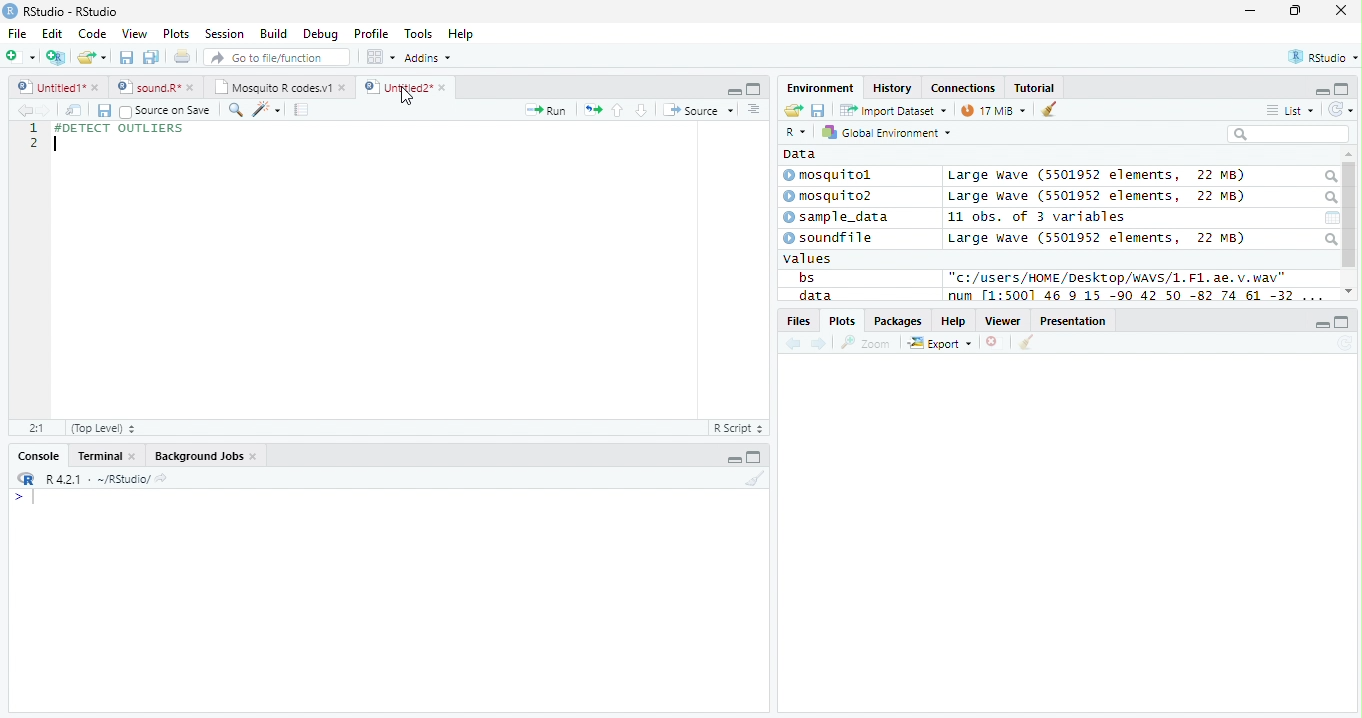 Image resolution: width=1362 pixels, height=718 pixels. Describe the element at coordinates (798, 132) in the screenshot. I see `R` at that location.